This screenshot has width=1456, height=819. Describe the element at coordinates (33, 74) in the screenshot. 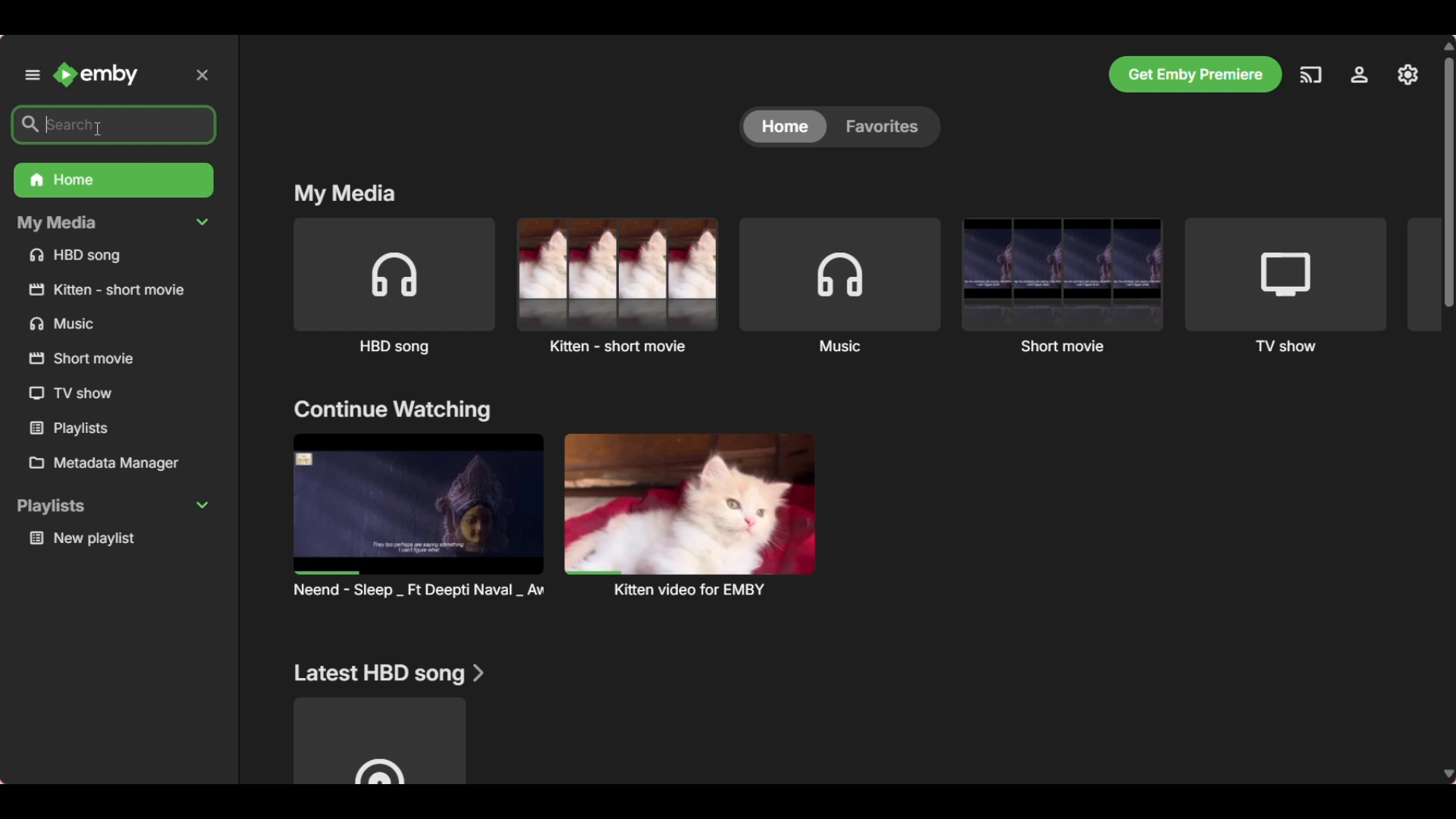

I see `Unpin left panel` at that location.